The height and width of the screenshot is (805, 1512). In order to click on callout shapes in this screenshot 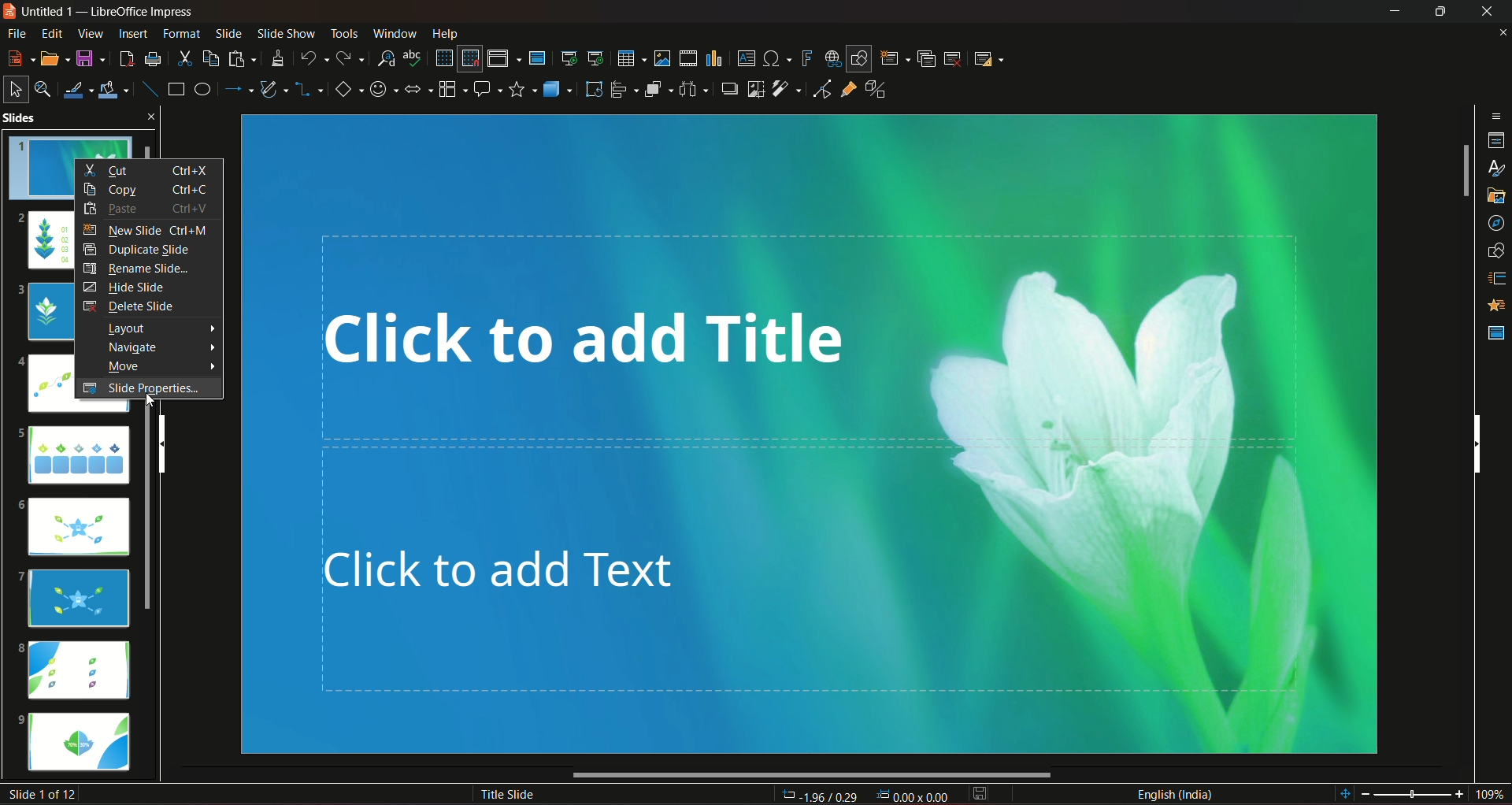, I will do `click(488, 88)`.